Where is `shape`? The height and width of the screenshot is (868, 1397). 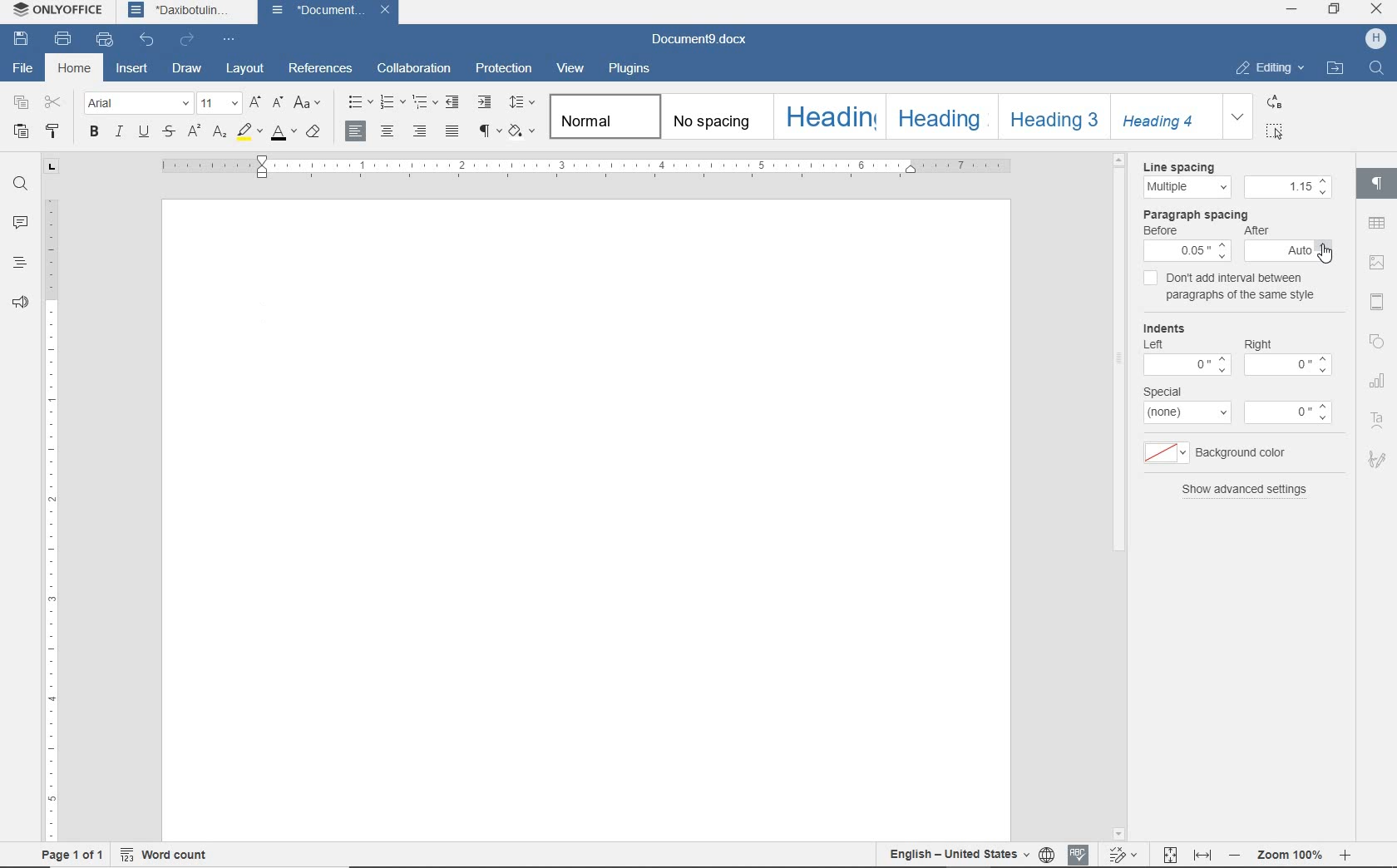
shape is located at coordinates (1375, 343).